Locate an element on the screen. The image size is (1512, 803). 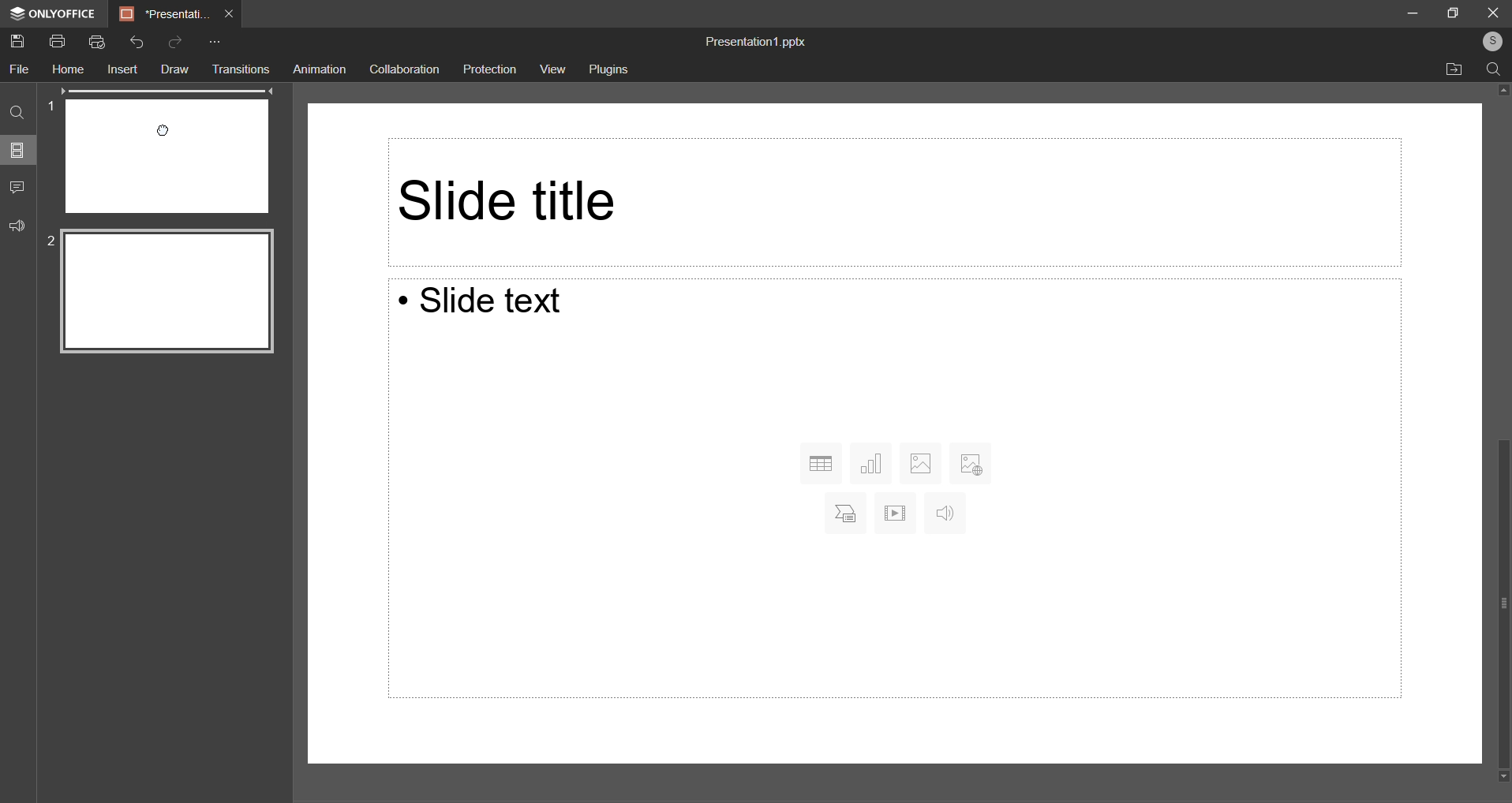
find is located at coordinates (1493, 67).